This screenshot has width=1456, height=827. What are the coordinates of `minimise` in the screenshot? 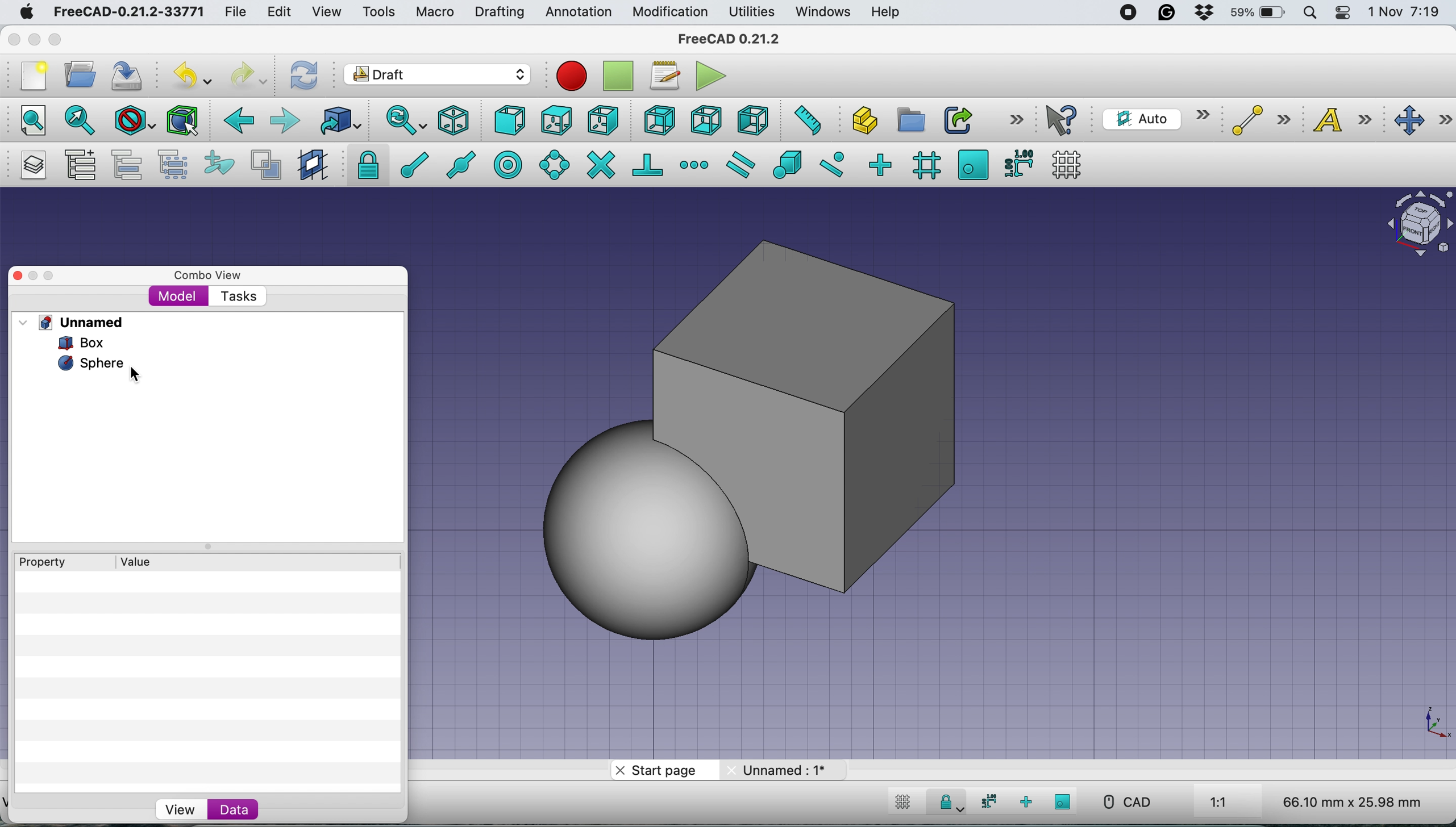 It's located at (30, 277).